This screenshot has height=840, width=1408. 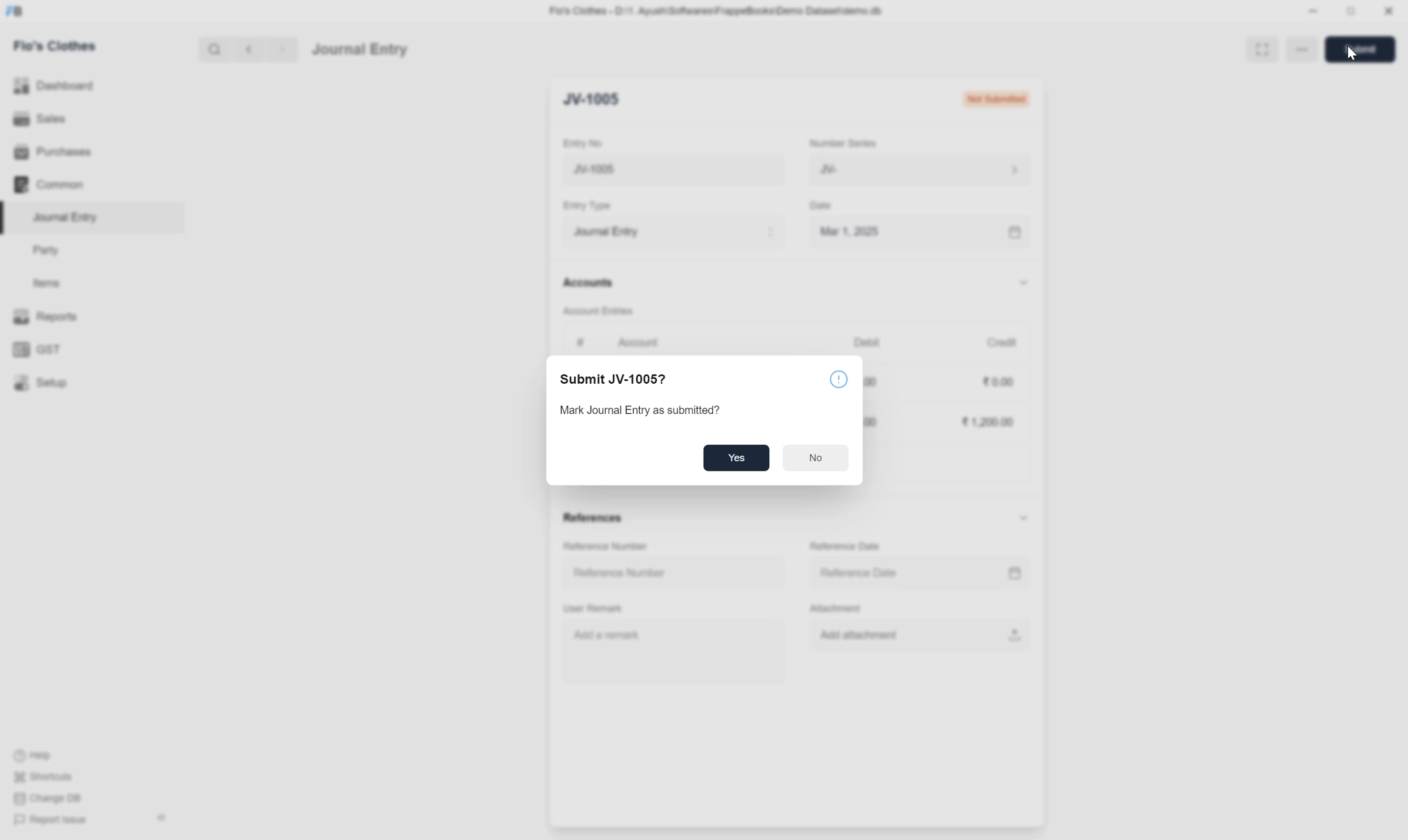 What do you see at coordinates (280, 50) in the screenshot?
I see `forward` at bounding box center [280, 50].